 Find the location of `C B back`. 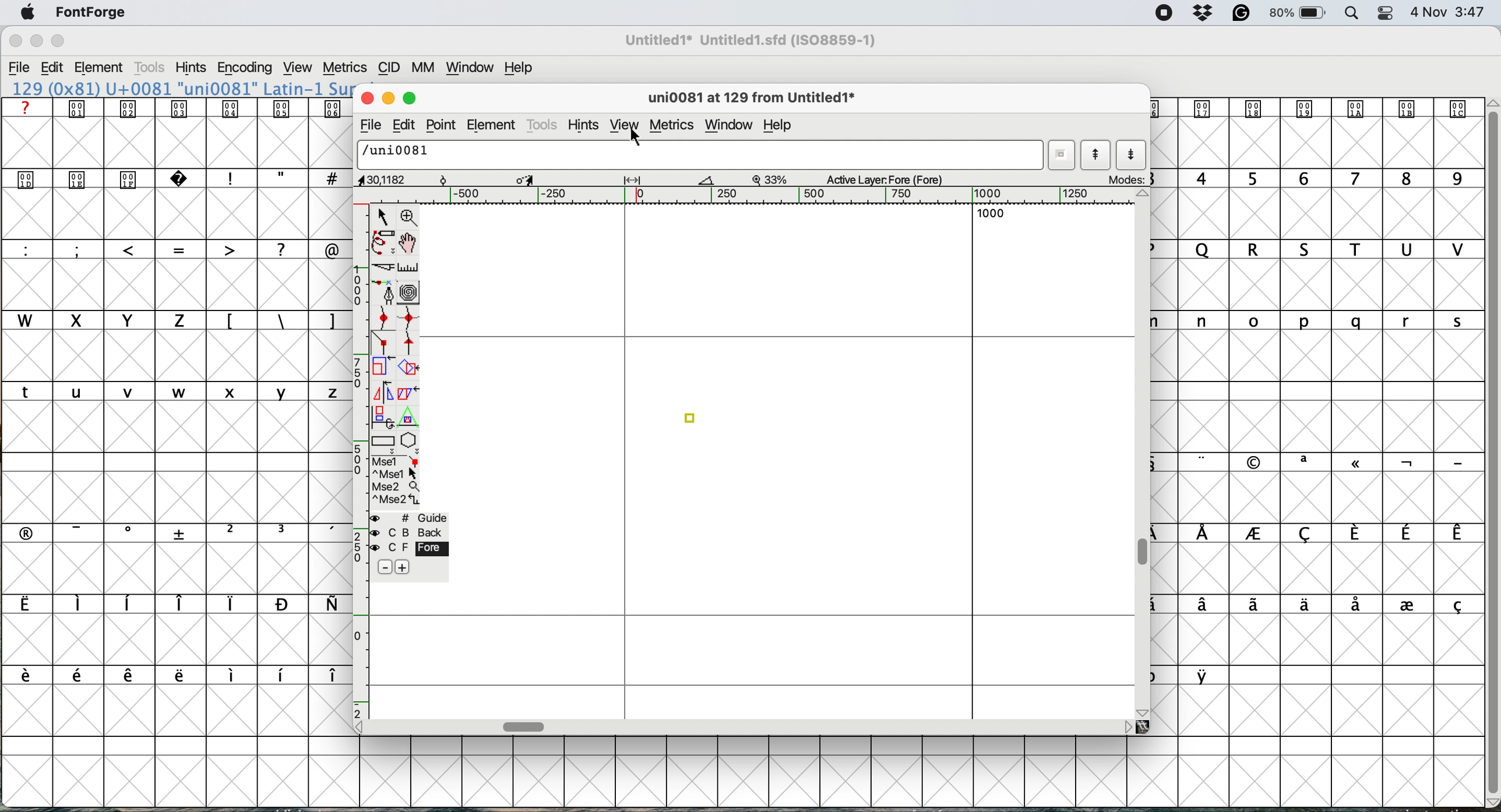

C B back is located at coordinates (413, 532).